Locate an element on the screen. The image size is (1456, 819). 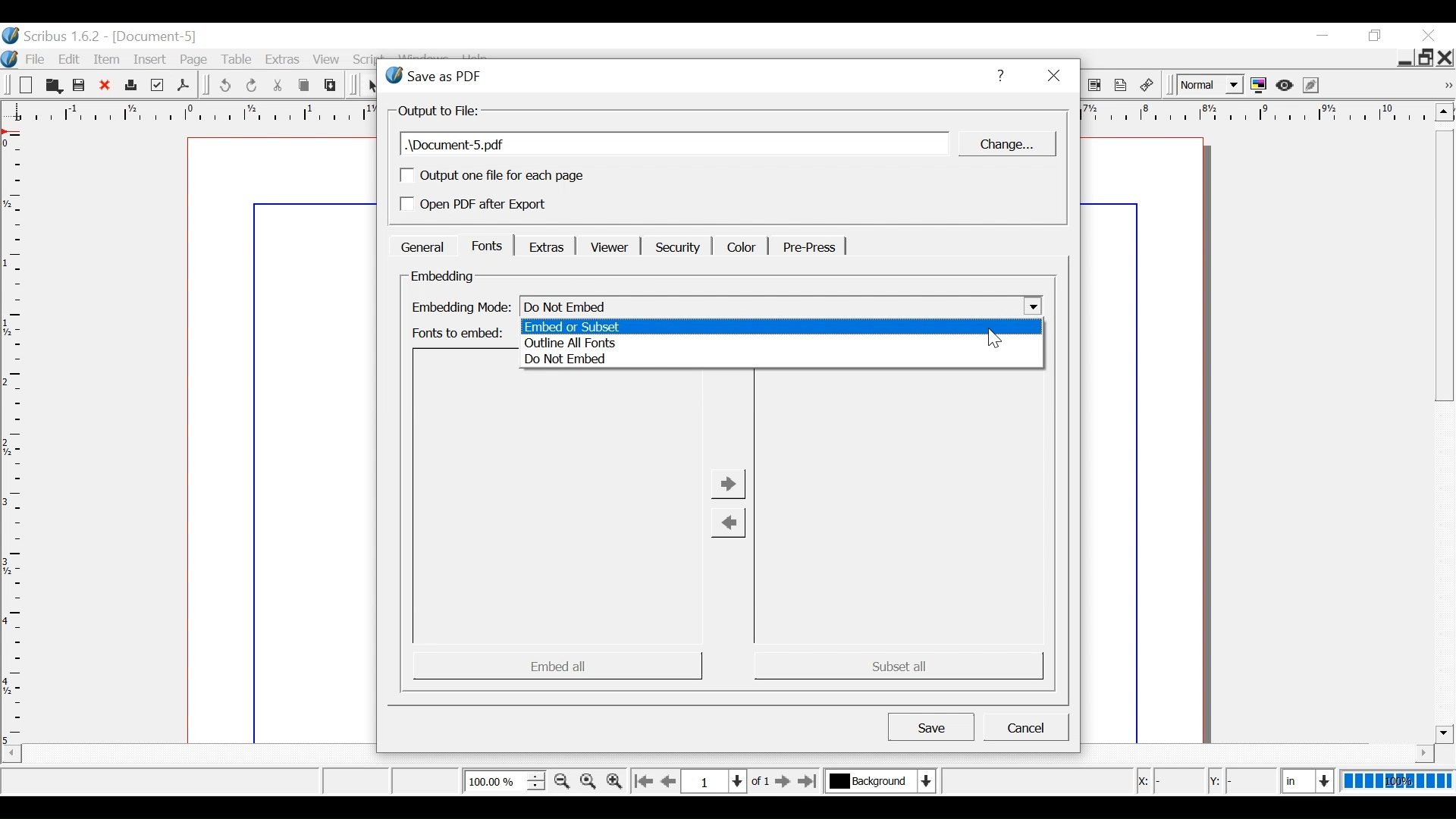
minimize is located at coordinates (1377, 36).